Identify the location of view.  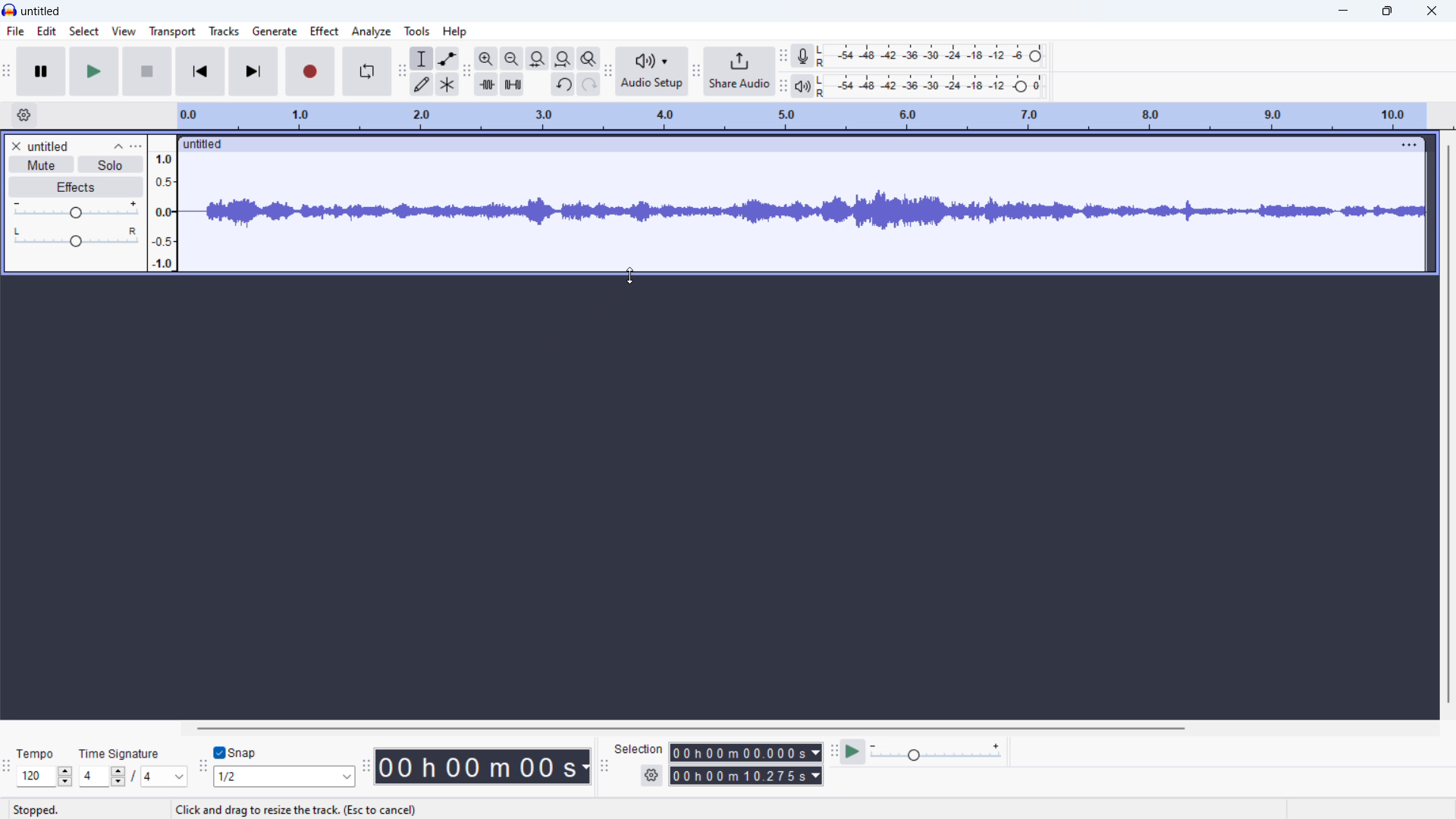
(122, 32).